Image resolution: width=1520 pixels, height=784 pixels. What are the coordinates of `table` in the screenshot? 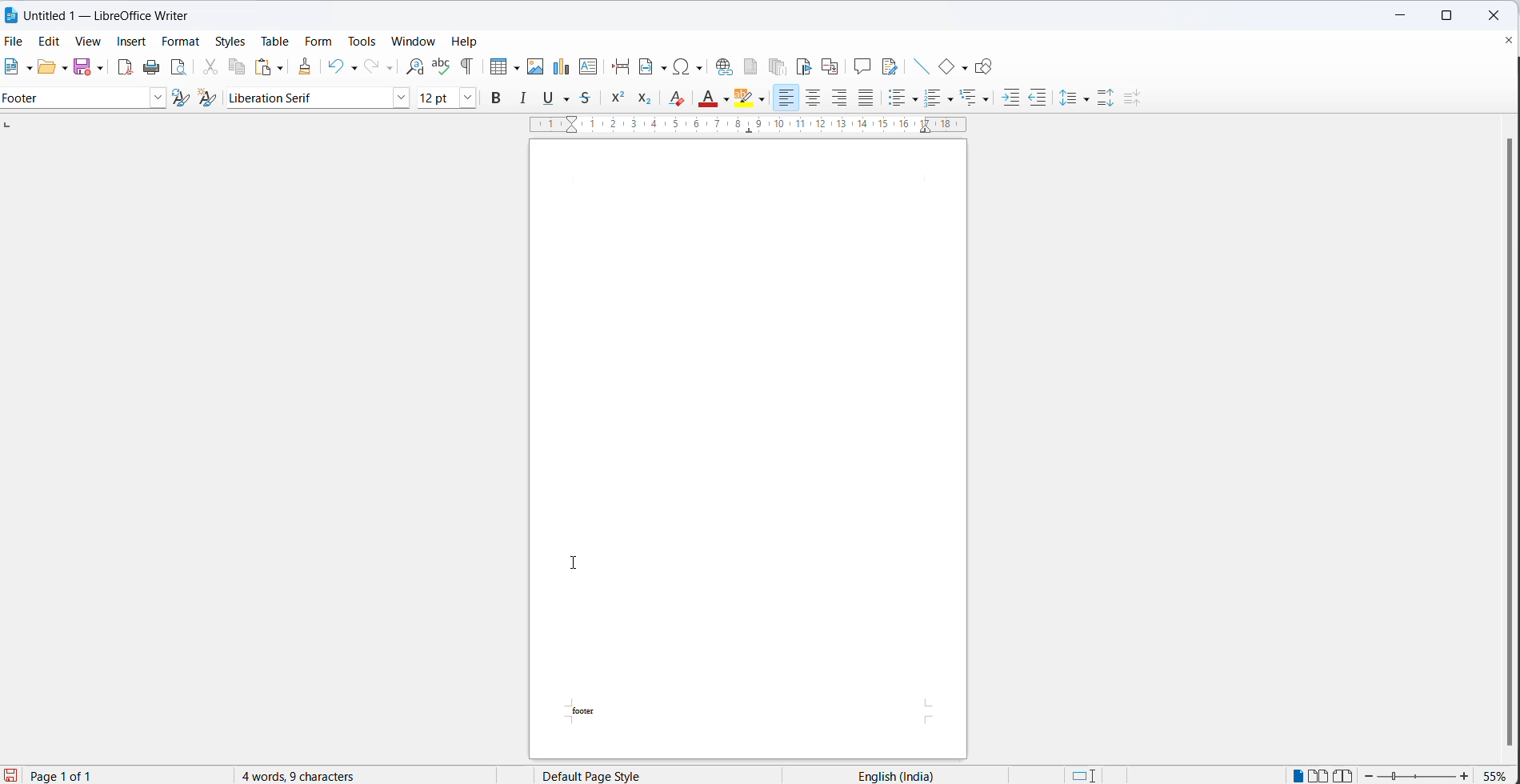 It's located at (275, 40).